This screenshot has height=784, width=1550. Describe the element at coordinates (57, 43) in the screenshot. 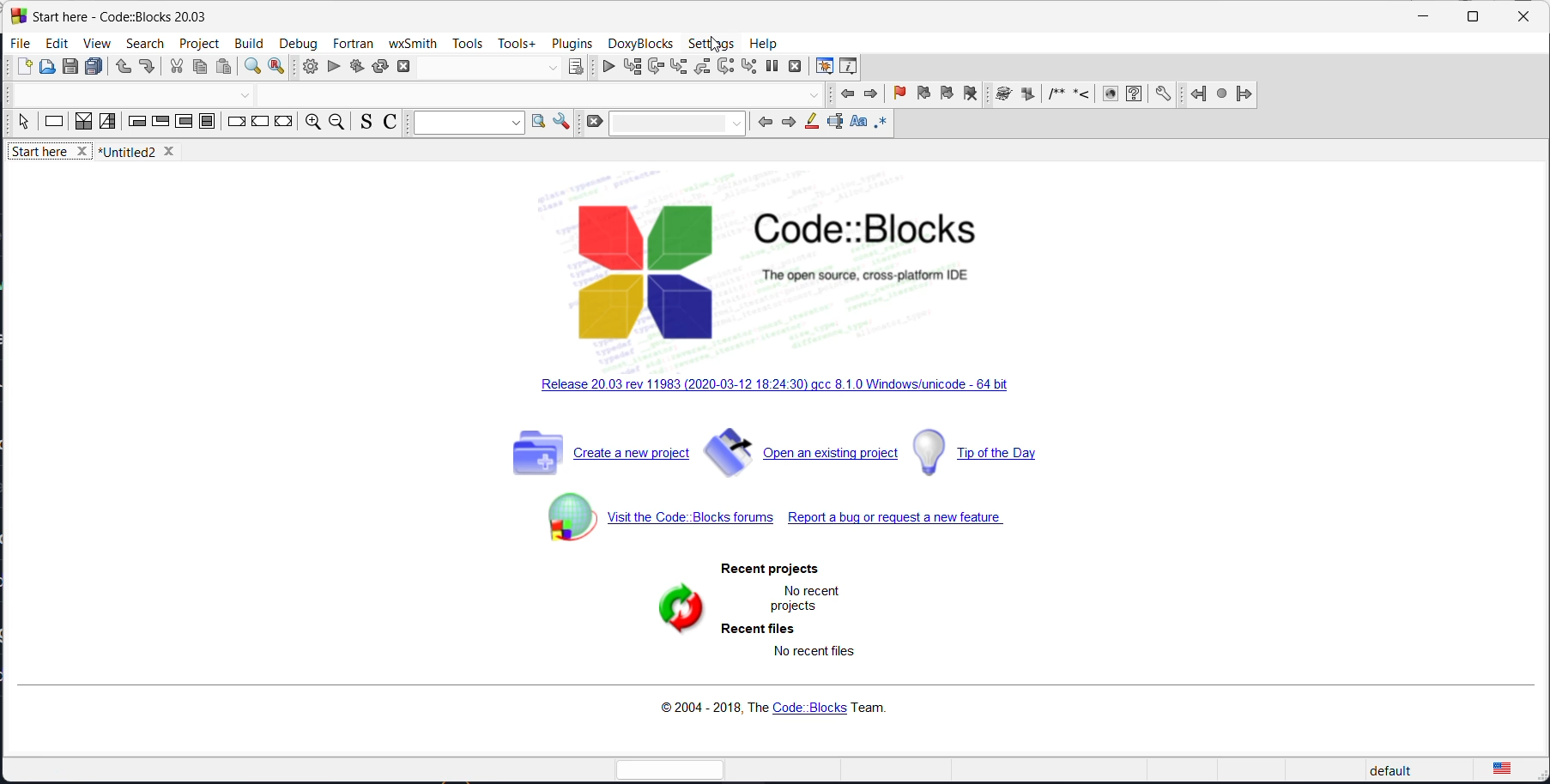

I see `edit` at that location.